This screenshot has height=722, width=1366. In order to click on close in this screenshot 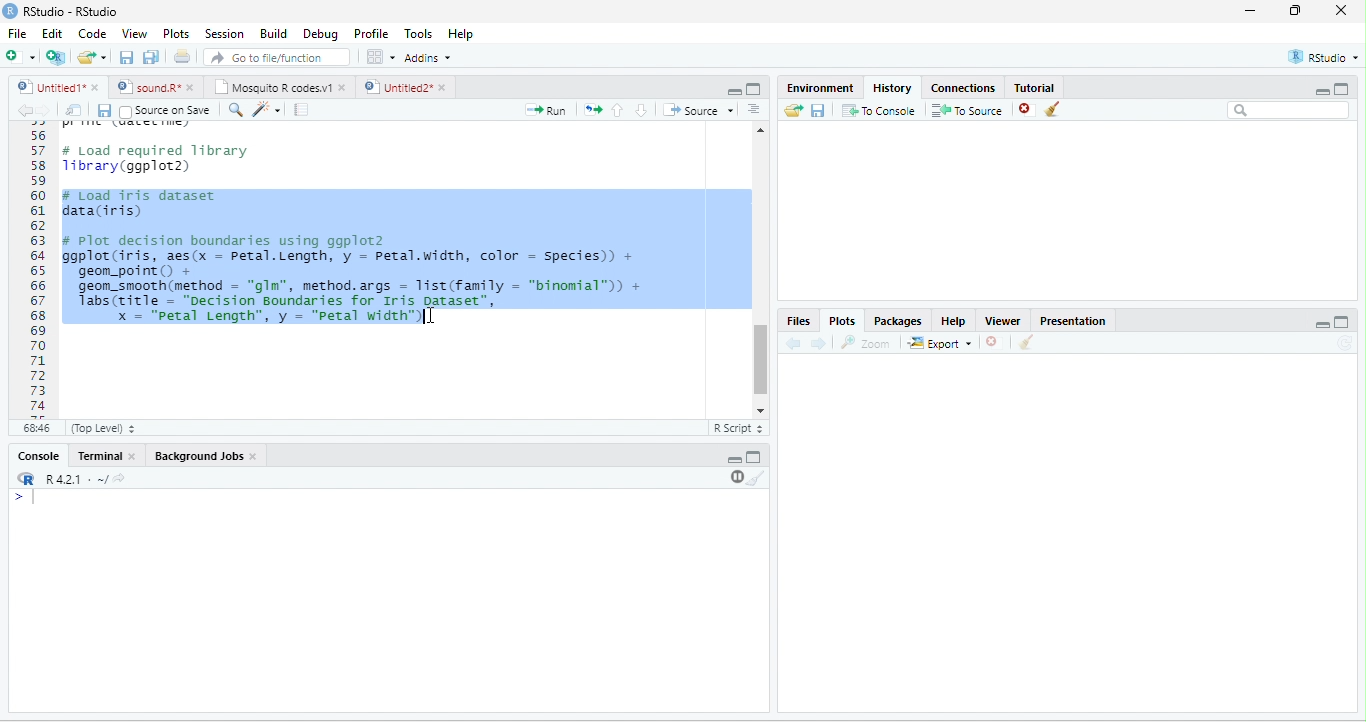, I will do `click(192, 88)`.